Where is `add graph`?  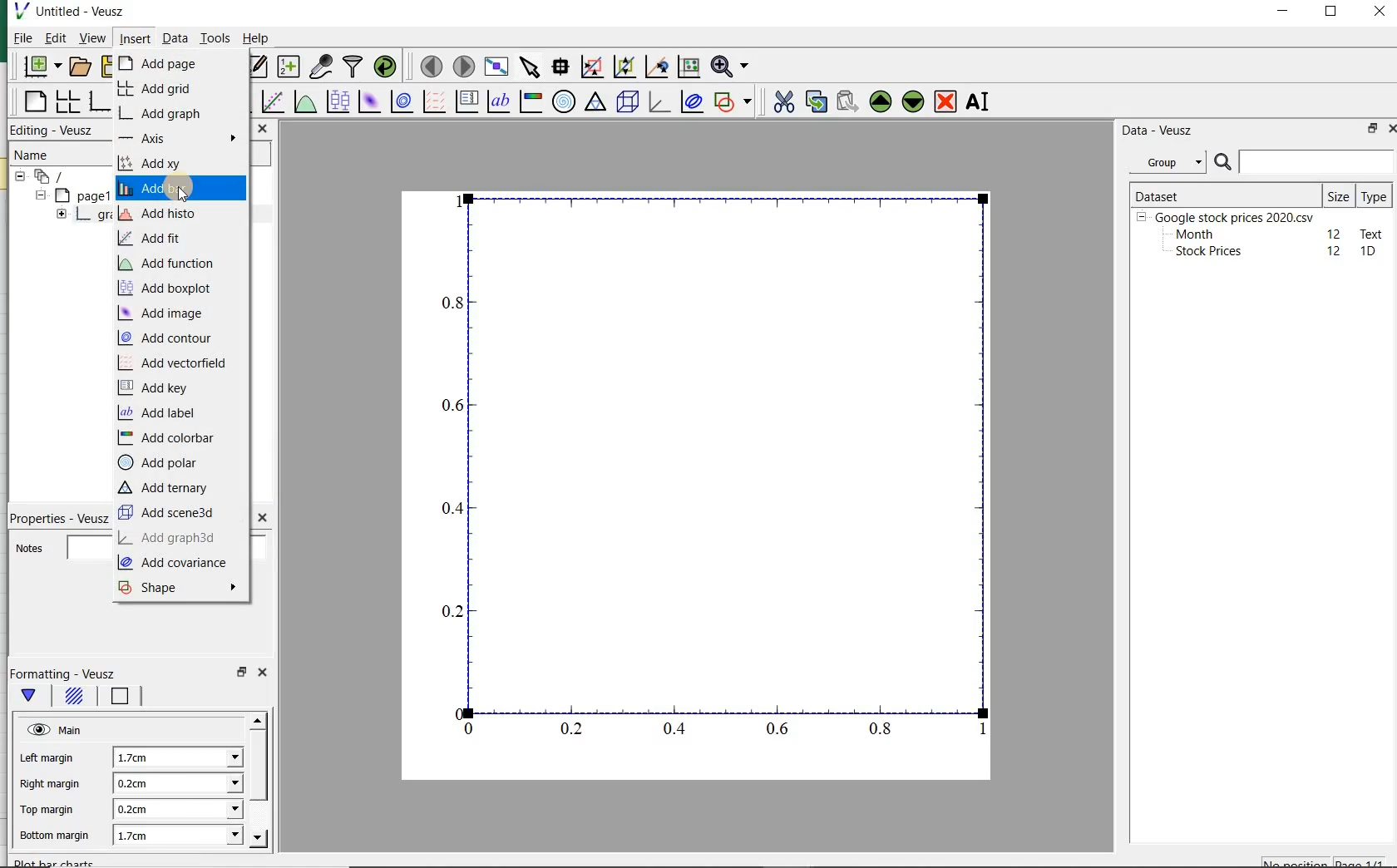
add graph is located at coordinates (172, 113).